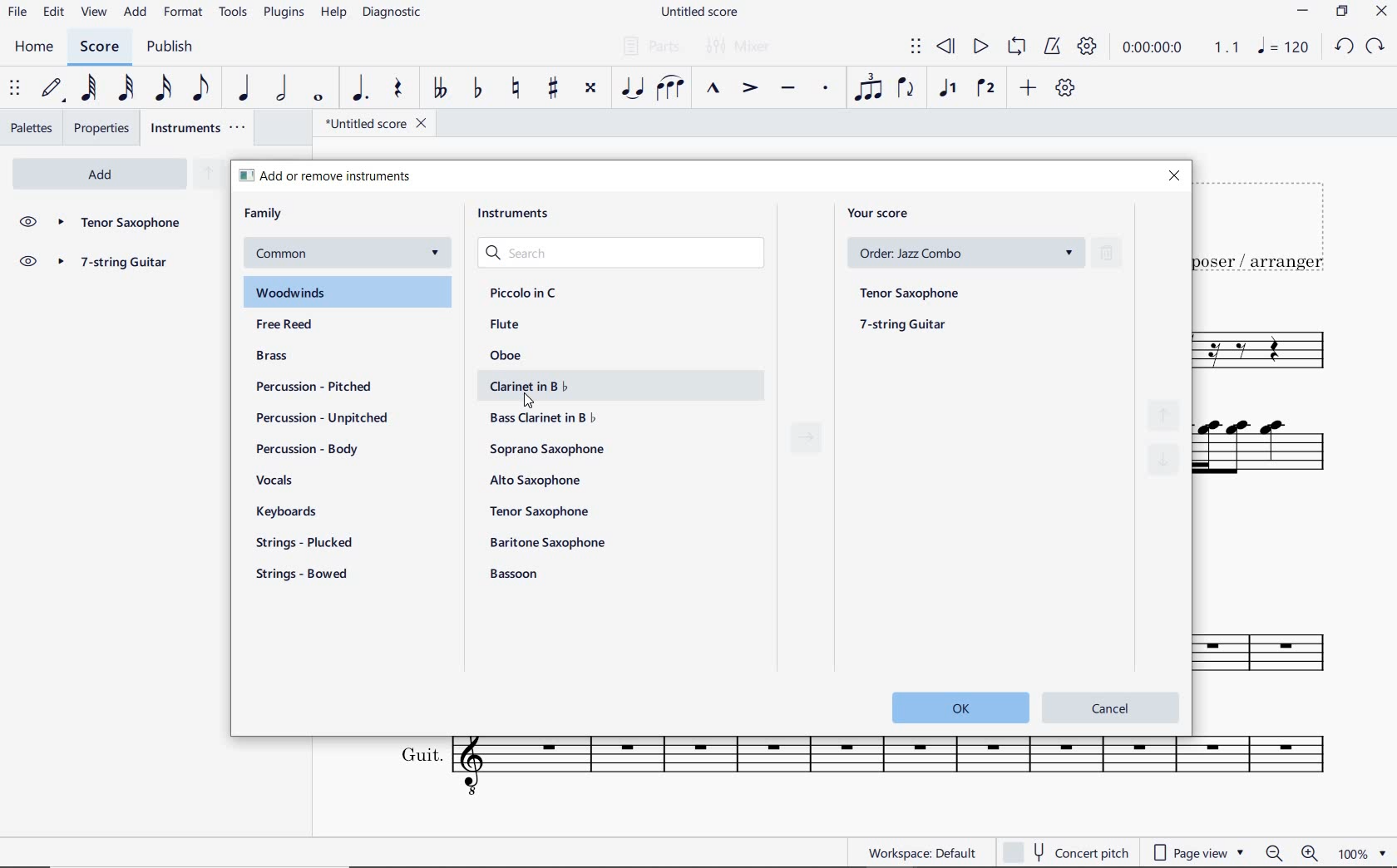  What do you see at coordinates (713, 89) in the screenshot?
I see `MARCATO` at bounding box center [713, 89].